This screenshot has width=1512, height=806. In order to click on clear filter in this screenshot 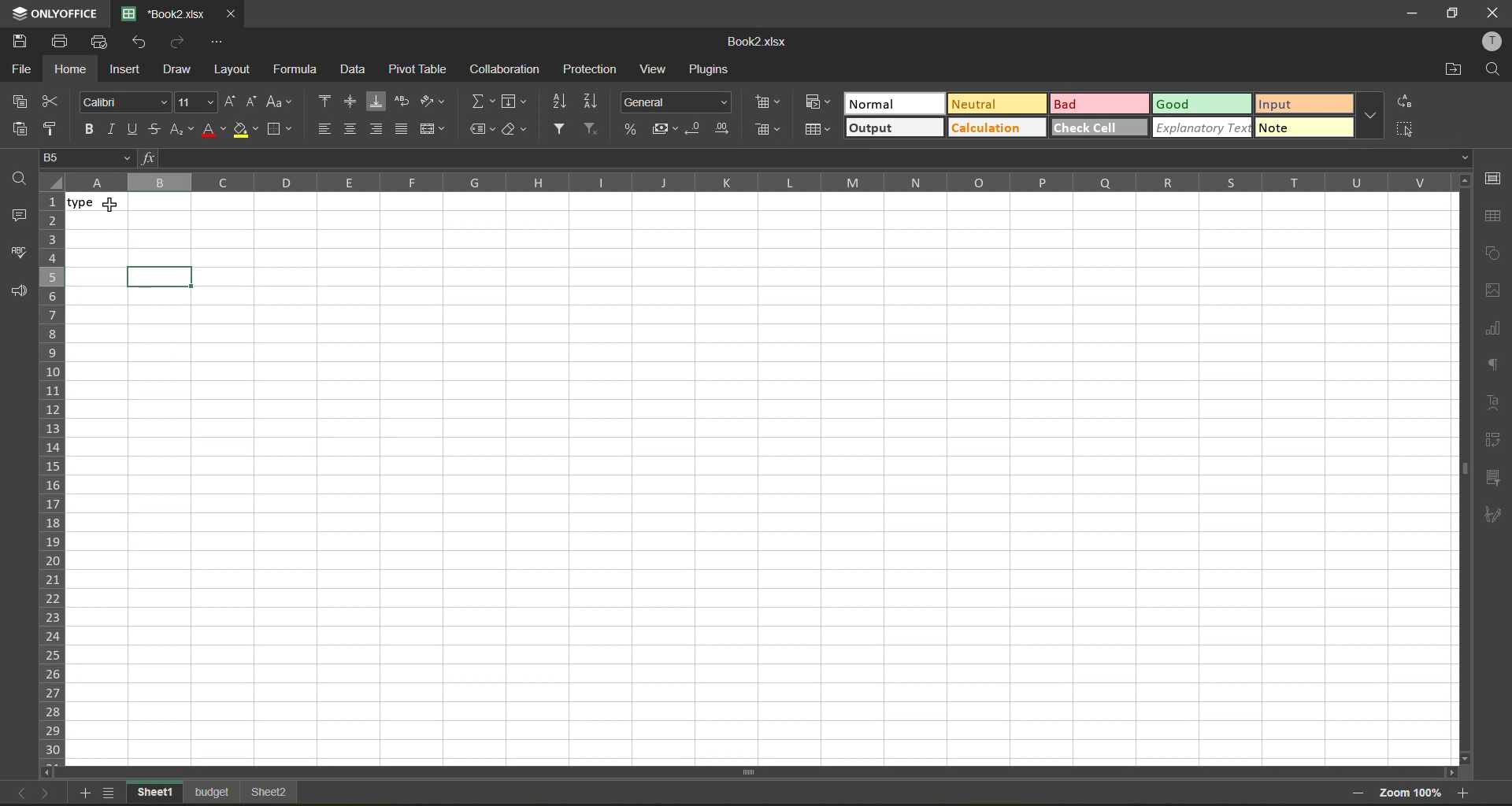, I will do `click(590, 130)`.